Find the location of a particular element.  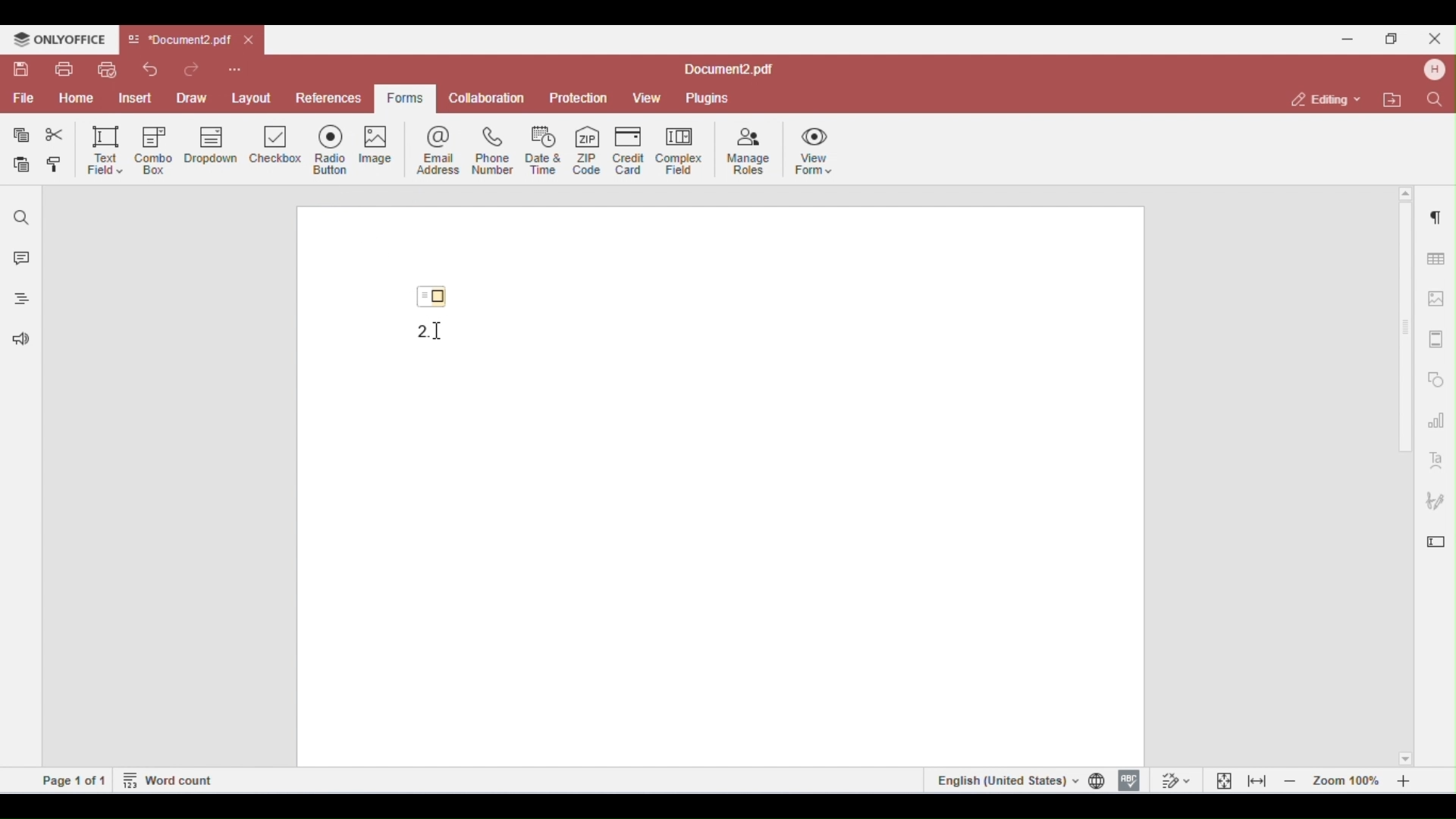

open file location is located at coordinates (1395, 101).